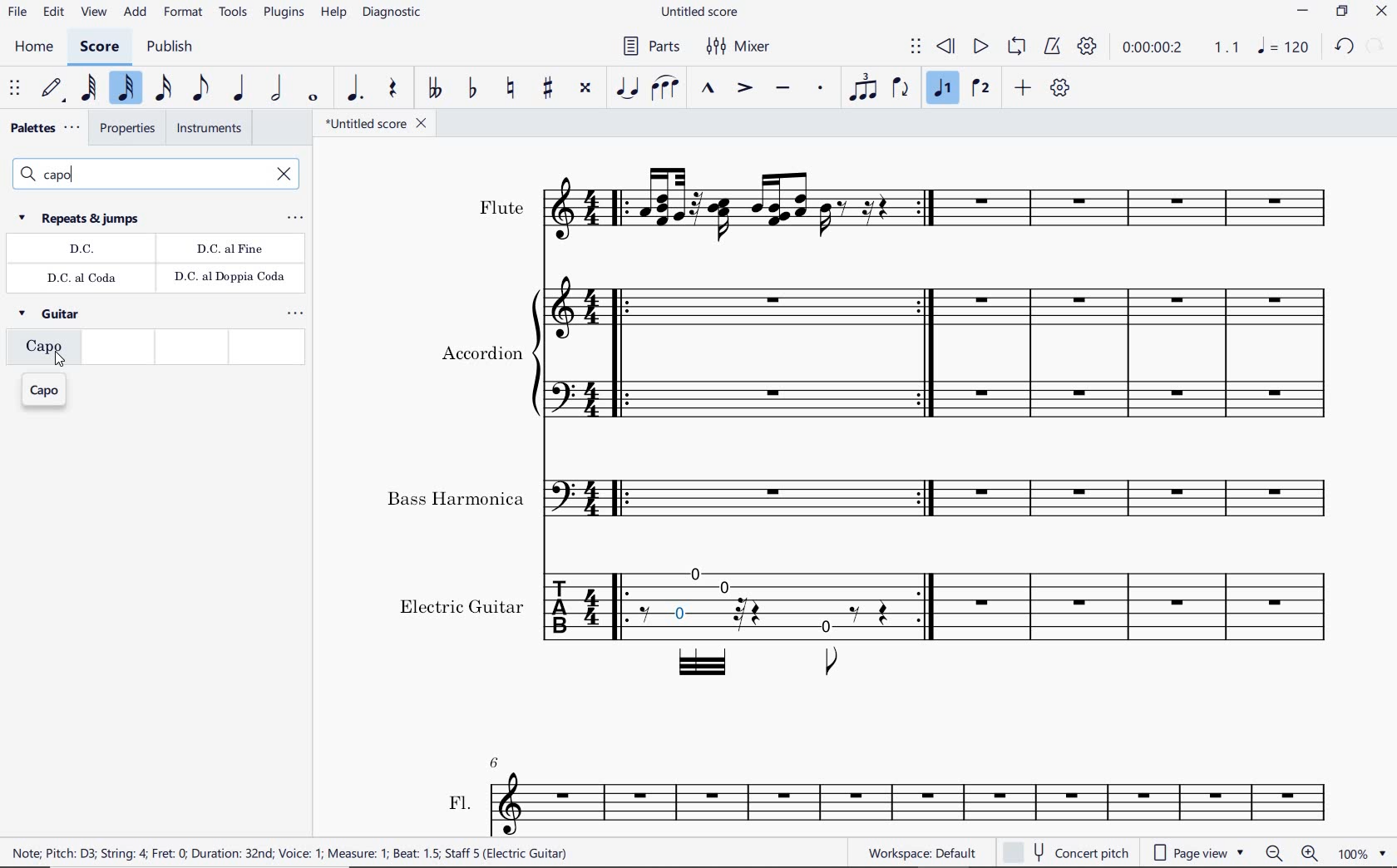 The image size is (1397, 868). What do you see at coordinates (290, 855) in the screenshot?
I see `score description` at bounding box center [290, 855].